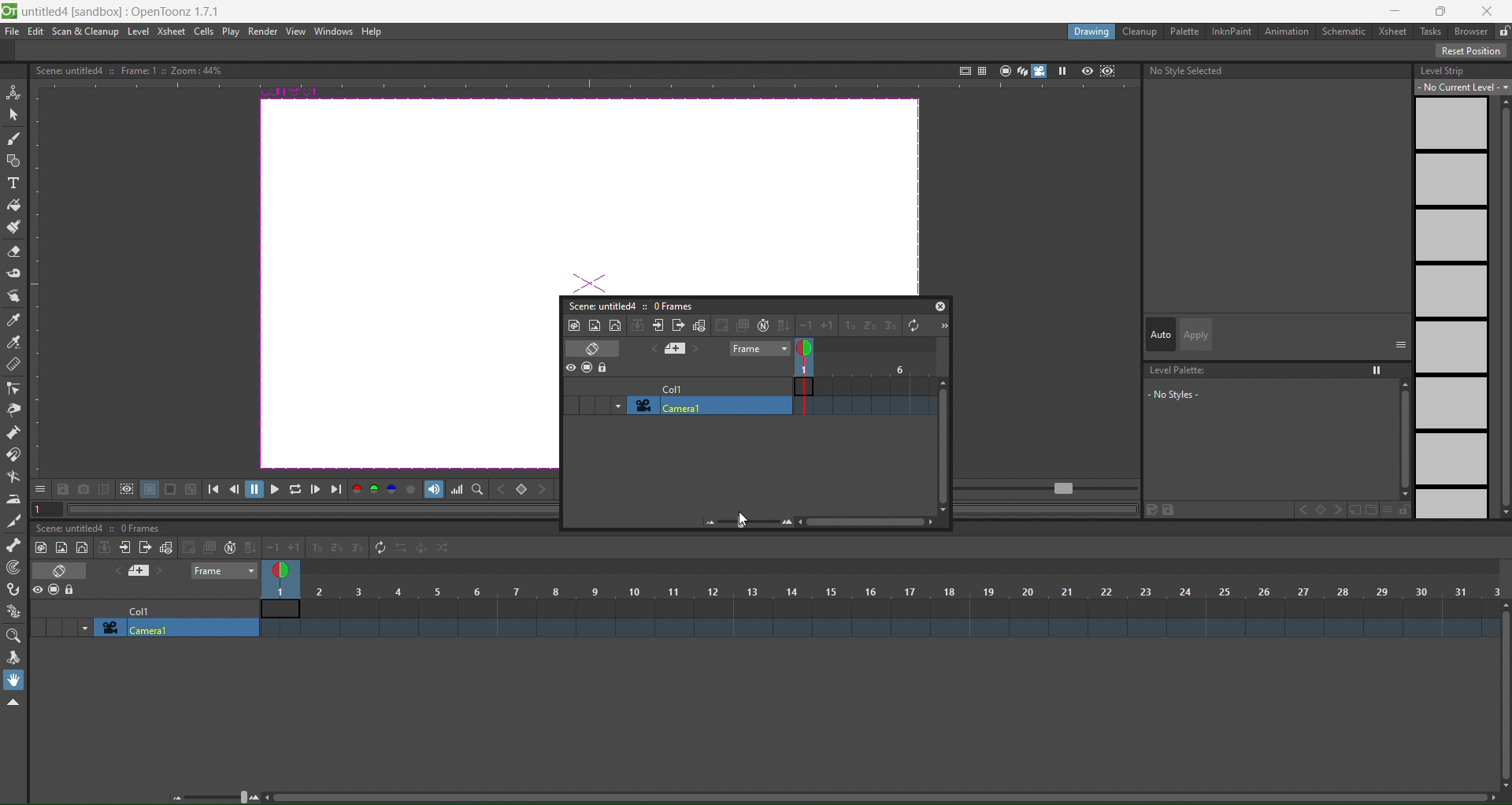 The height and width of the screenshot is (805, 1512). I want to click on auto input cell number, so click(227, 548).